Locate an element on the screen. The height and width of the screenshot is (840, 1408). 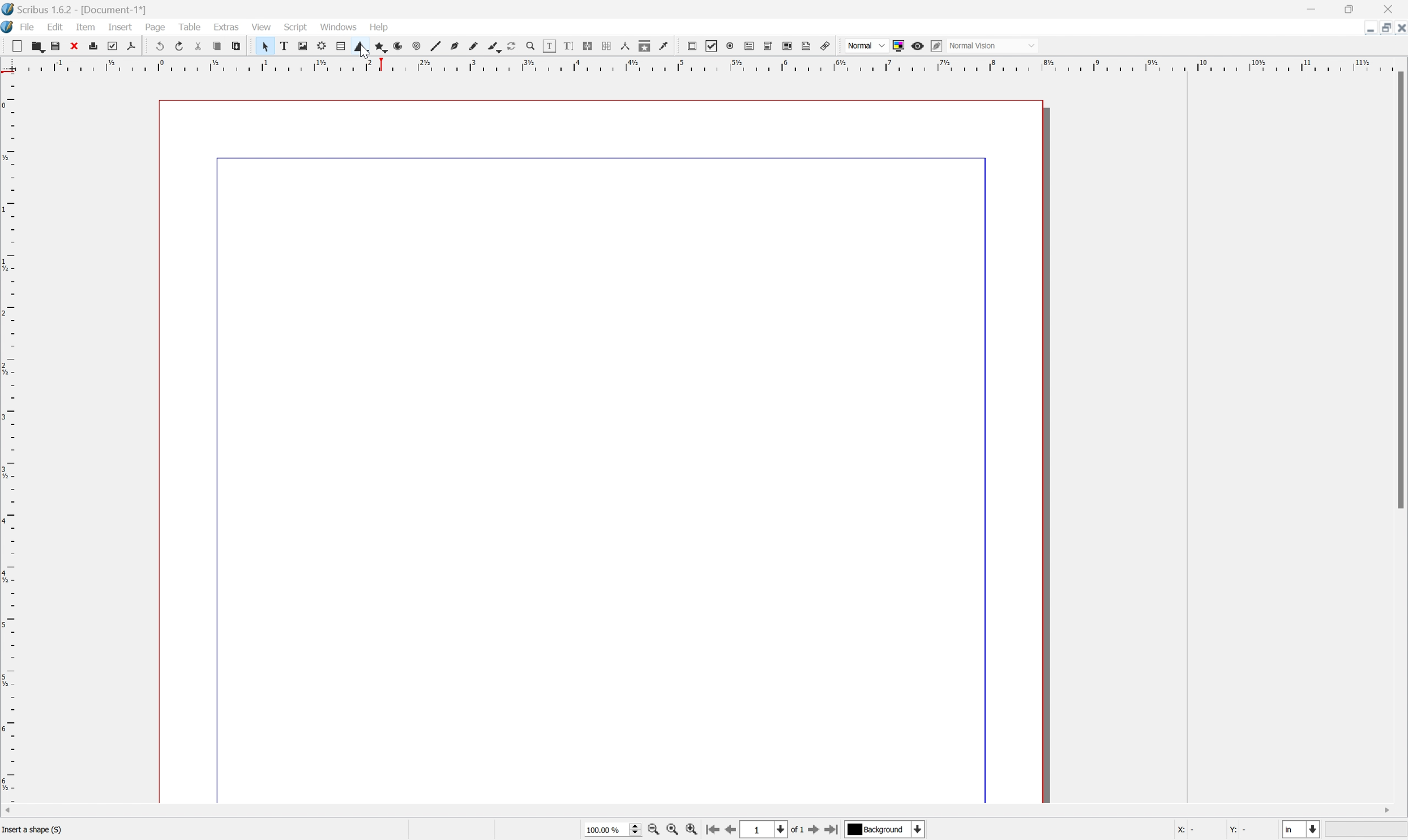
Edit contents of frame is located at coordinates (549, 46).